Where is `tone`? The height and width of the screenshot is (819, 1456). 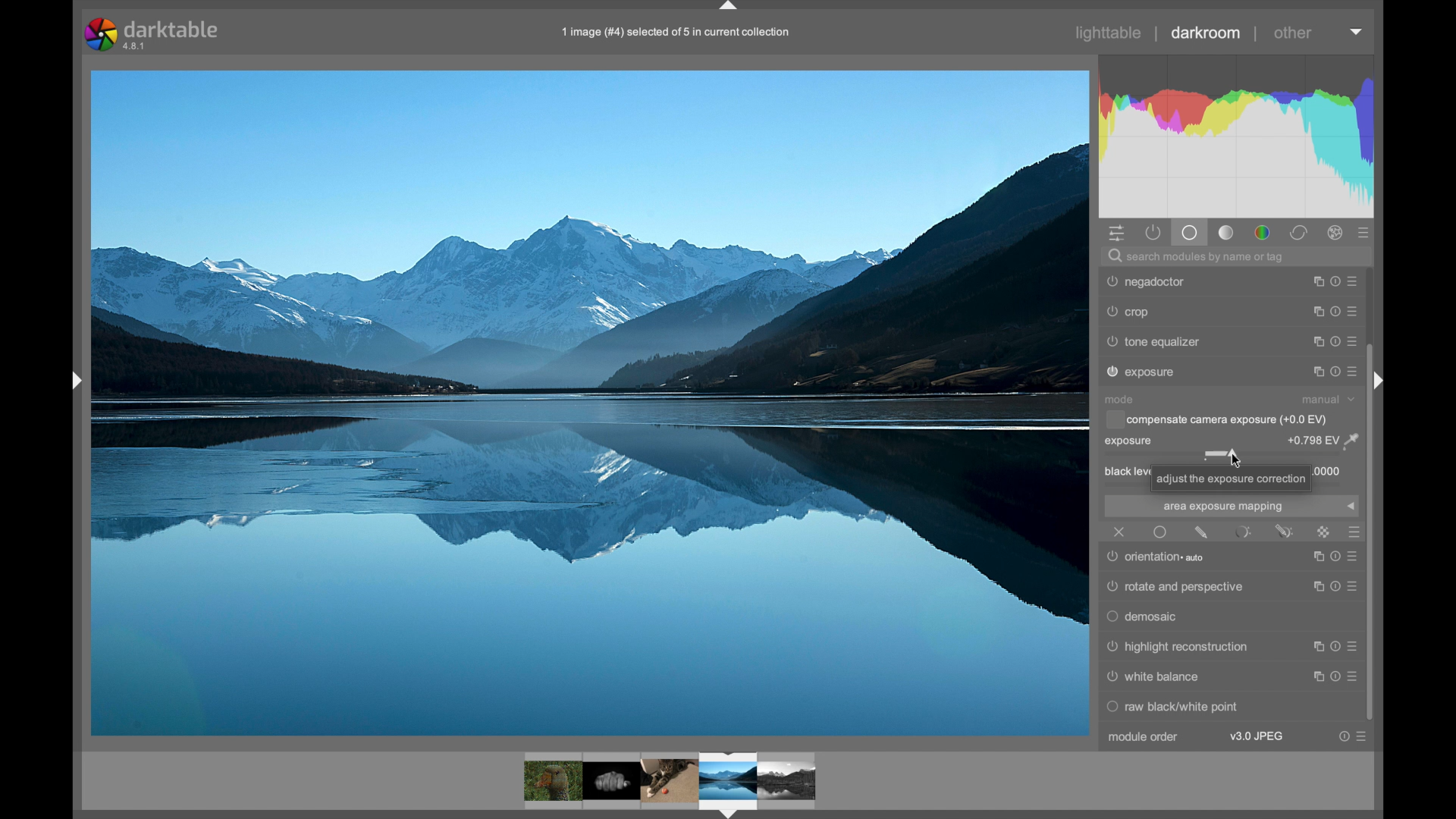 tone is located at coordinates (1227, 233).